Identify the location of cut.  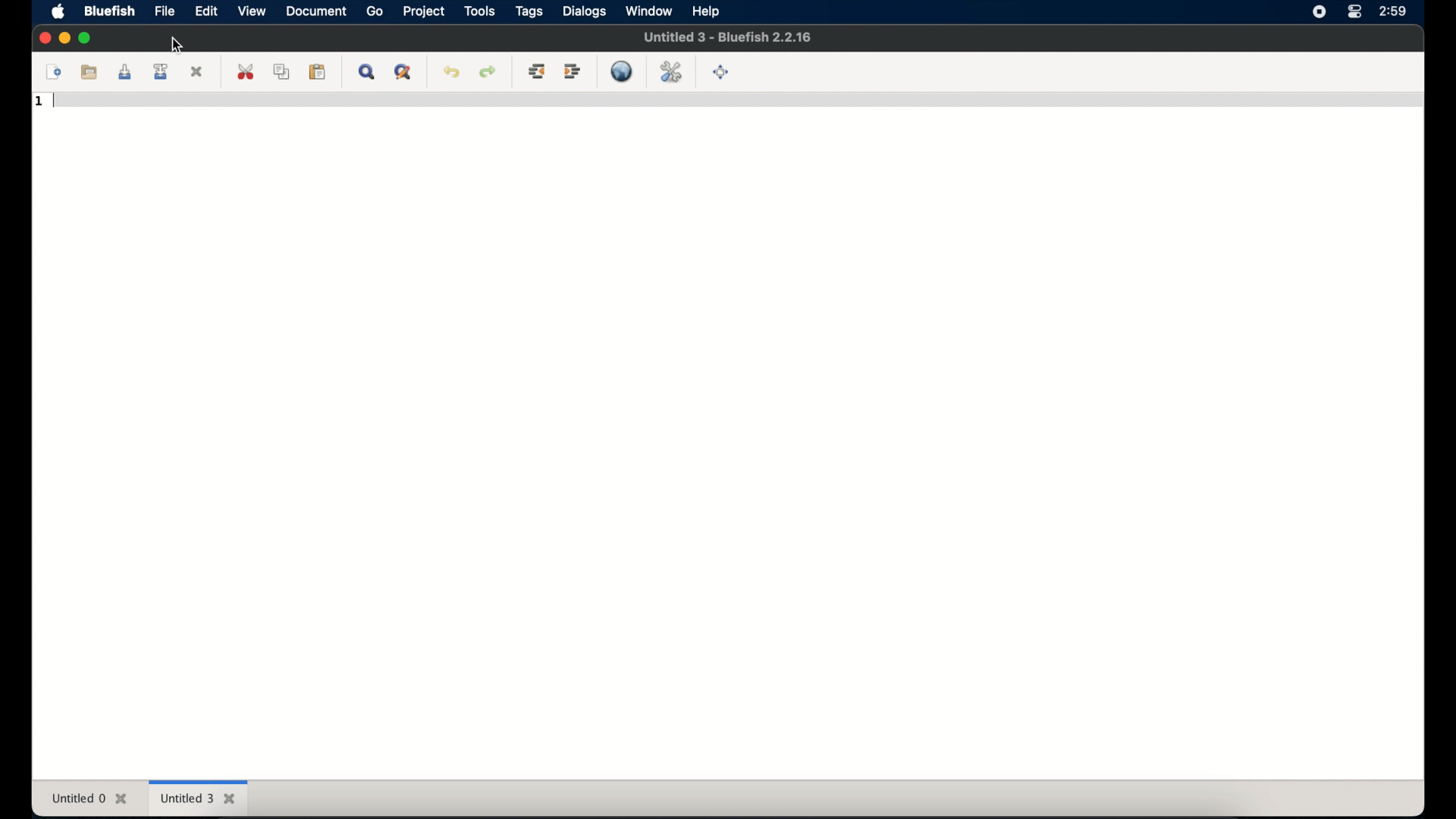
(246, 71).